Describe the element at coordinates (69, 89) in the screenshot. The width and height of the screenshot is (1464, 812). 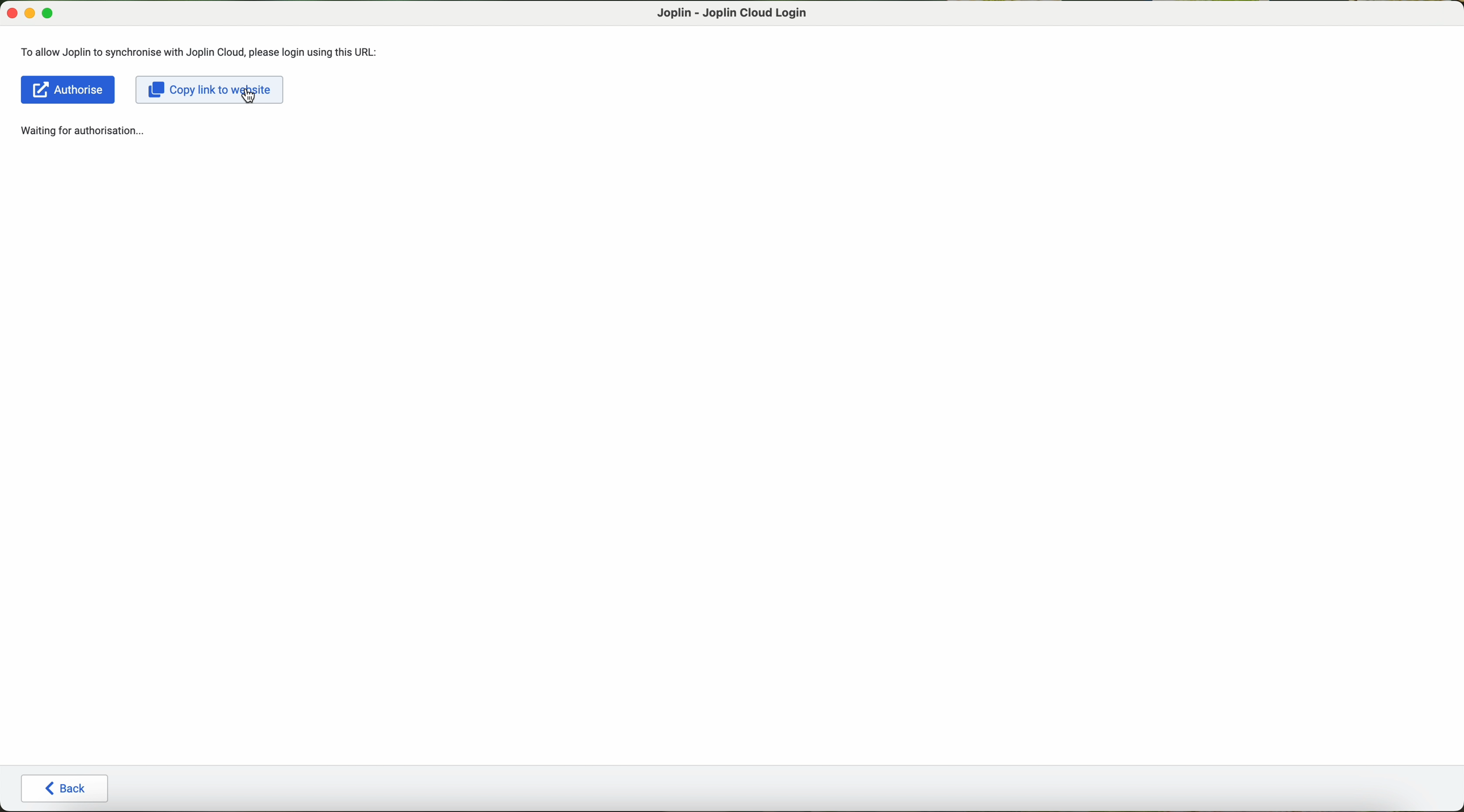
I see `Authorise` at that location.